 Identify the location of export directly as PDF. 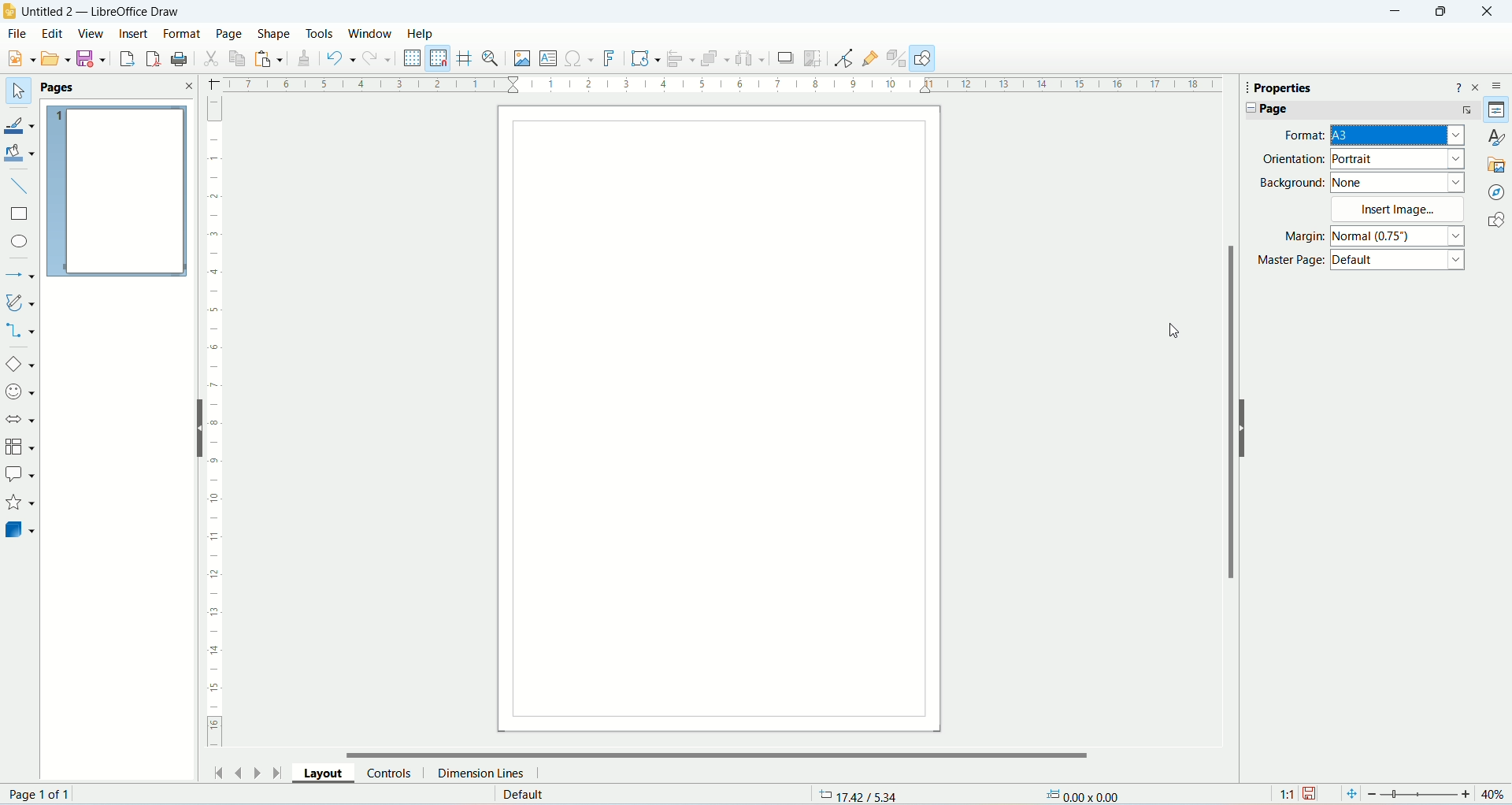
(156, 58).